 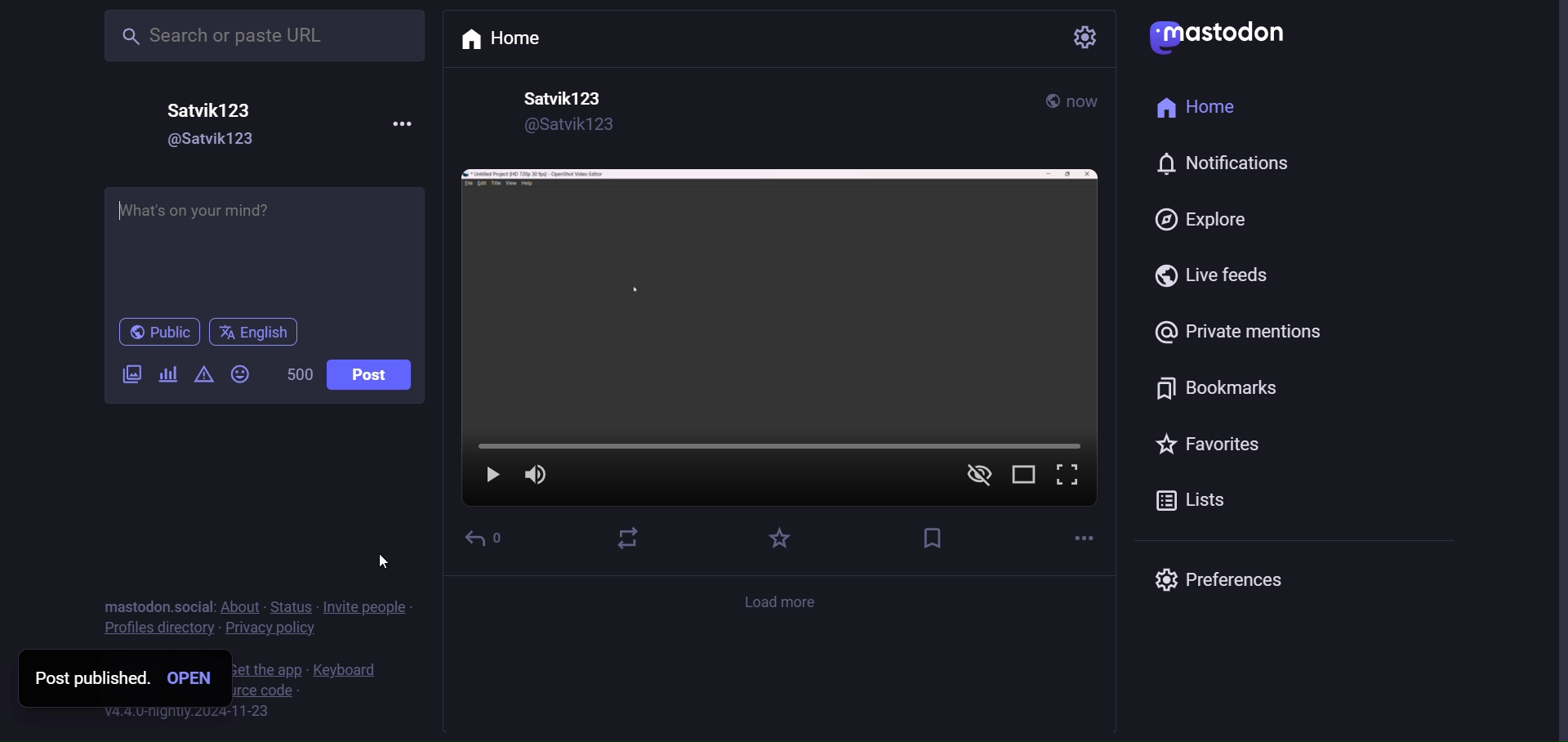 What do you see at coordinates (87, 678) in the screenshot?
I see `post published` at bounding box center [87, 678].